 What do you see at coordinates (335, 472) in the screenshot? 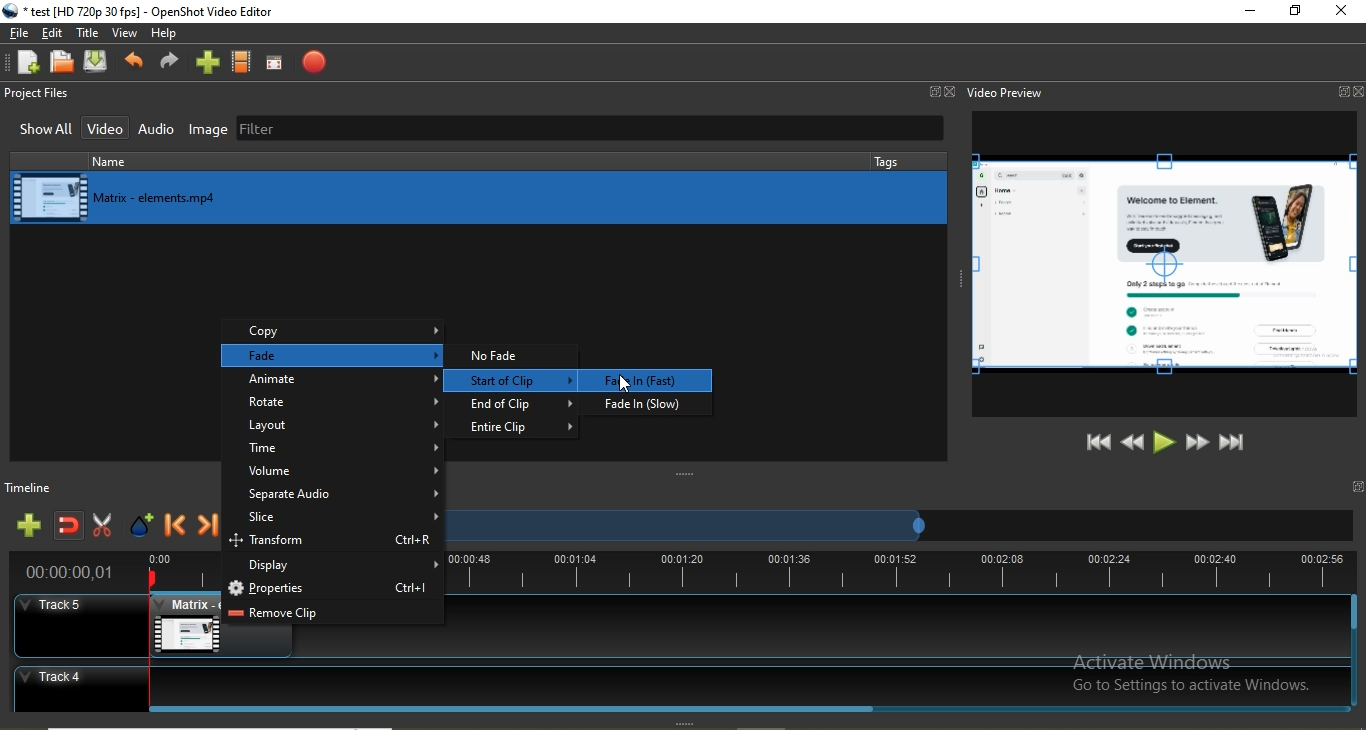
I see `volume` at bounding box center [335, 472].